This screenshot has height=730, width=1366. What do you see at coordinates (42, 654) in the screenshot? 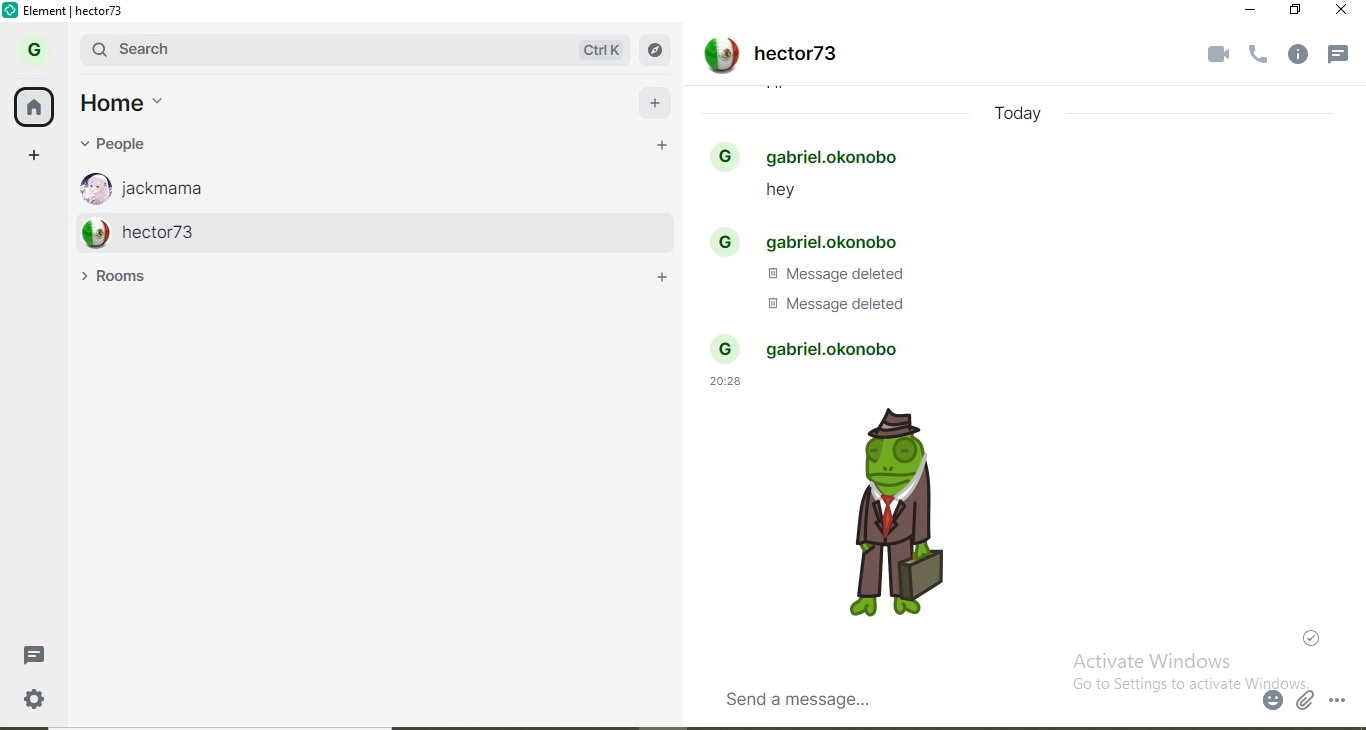
I see `message` at bounding box center [42, 654].